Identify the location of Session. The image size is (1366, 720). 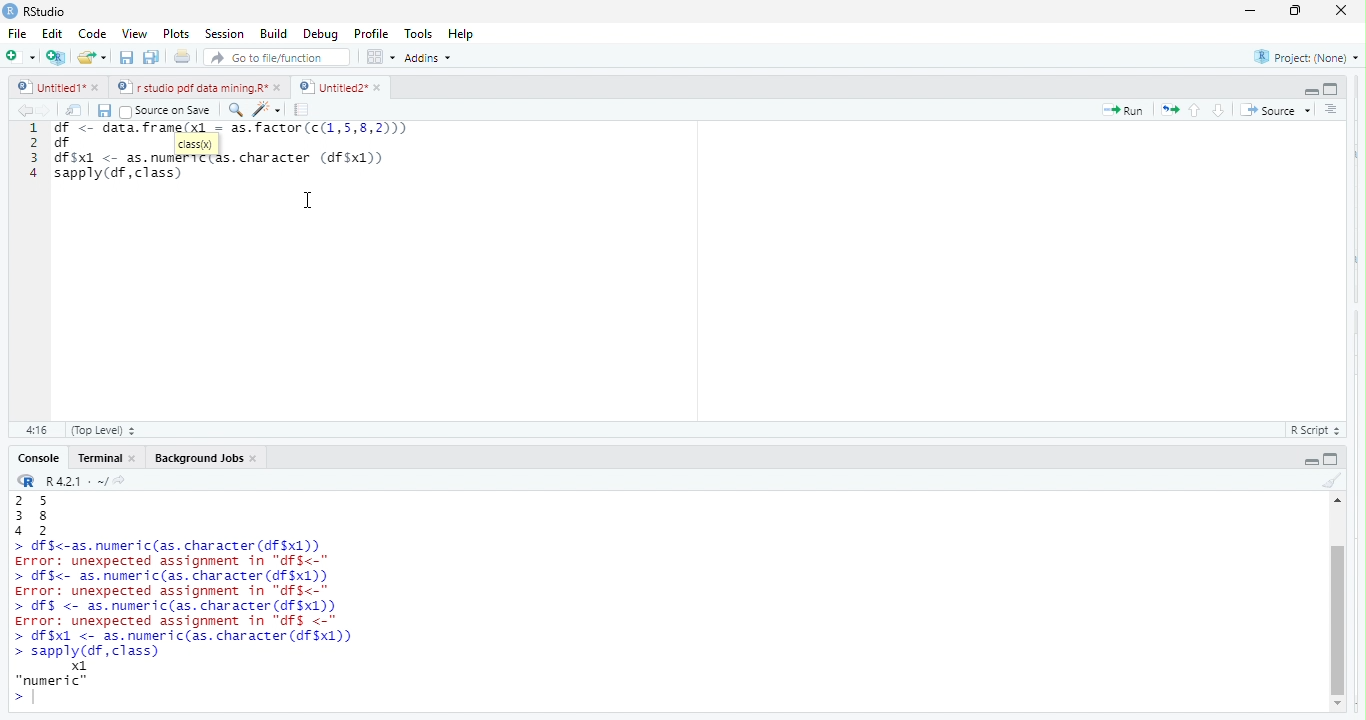
(224, 35).